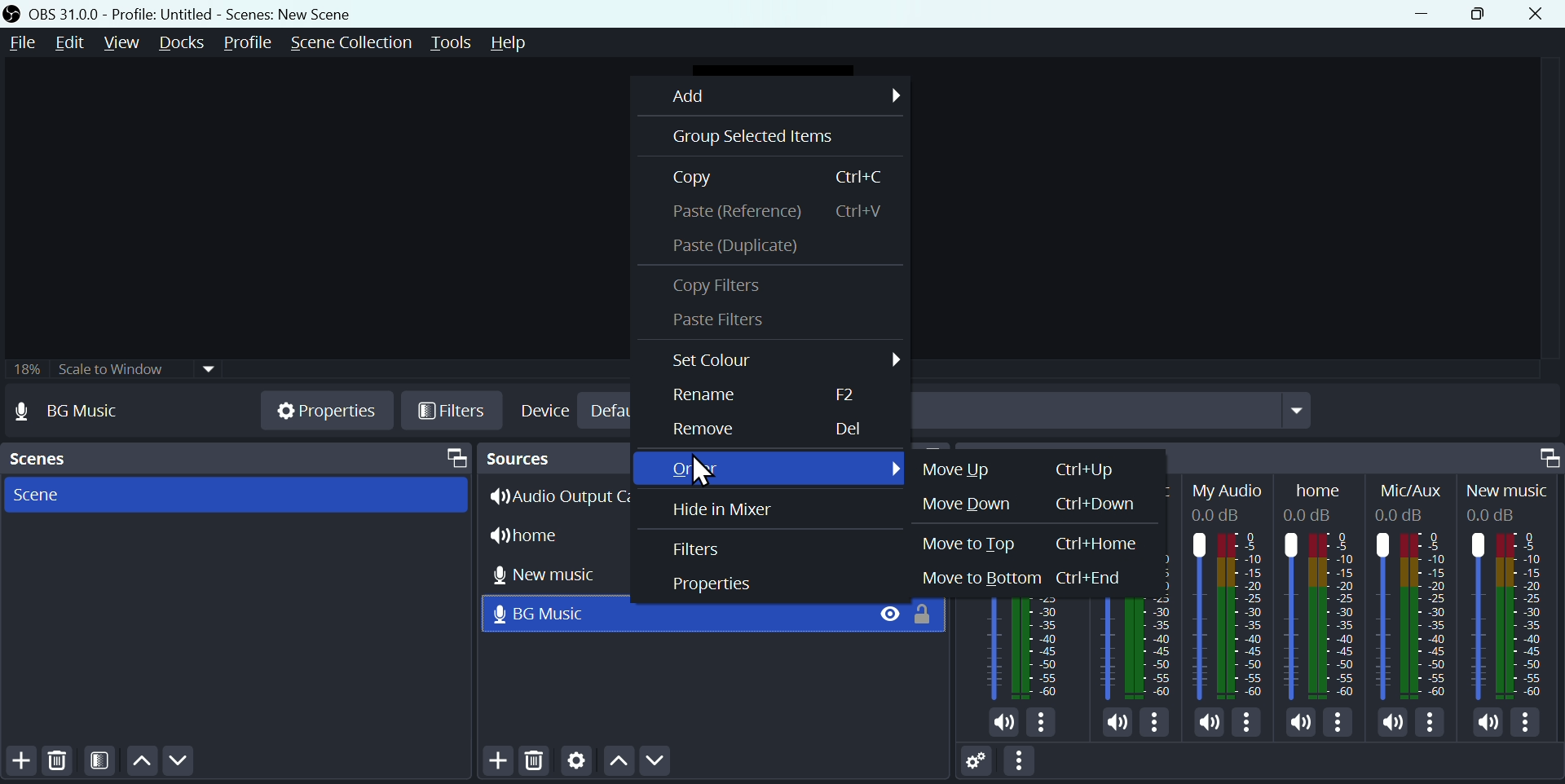  Describe the element at coordinates (1325, 588) in the screenshot. I see `Home` at that location.